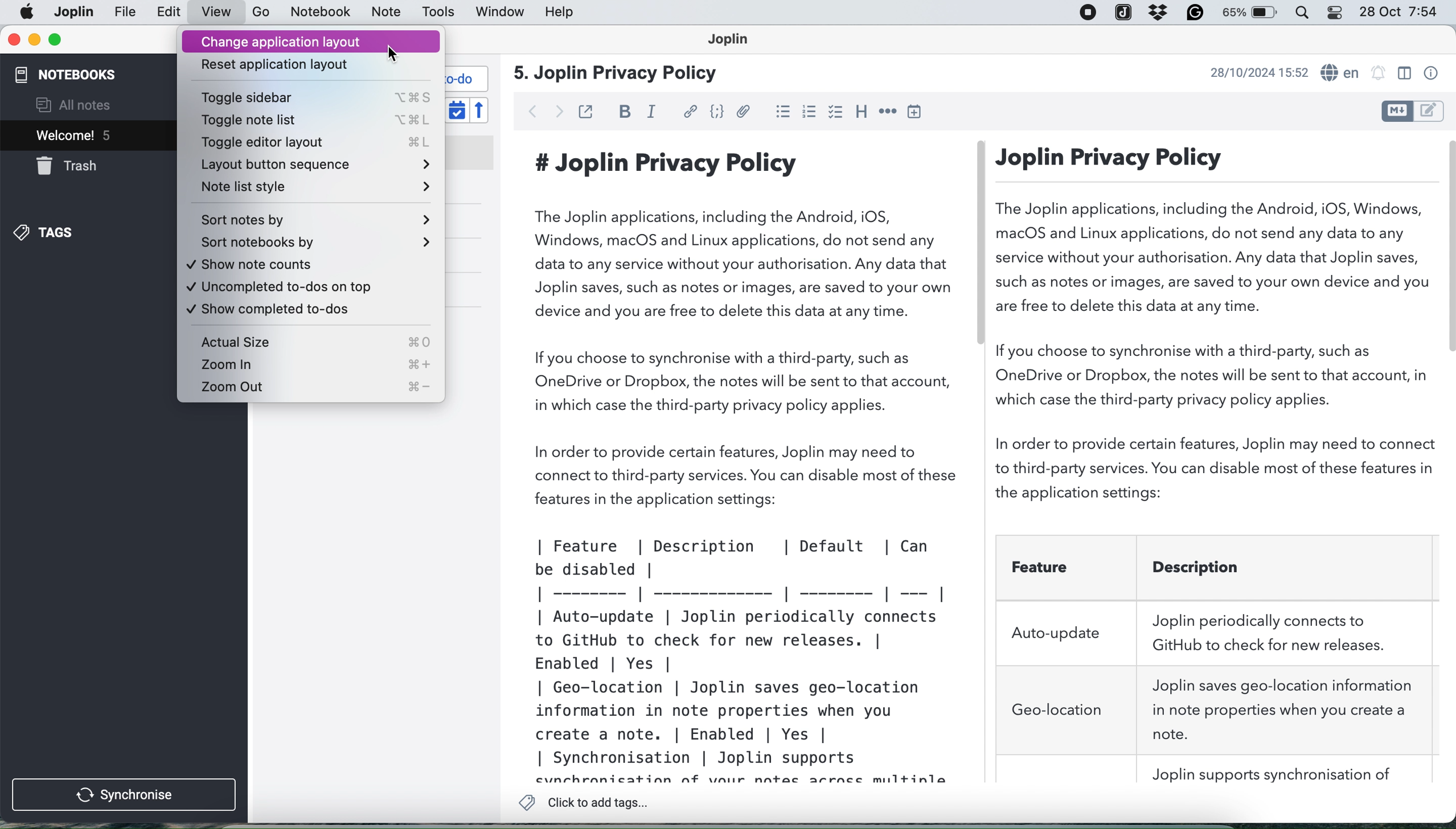 Image resolution: width=1456 pixels, height=829 pixels. What do you see at coordinates (497, 13) in the screenshot?
I see `window` at bounding box center [497, 13].